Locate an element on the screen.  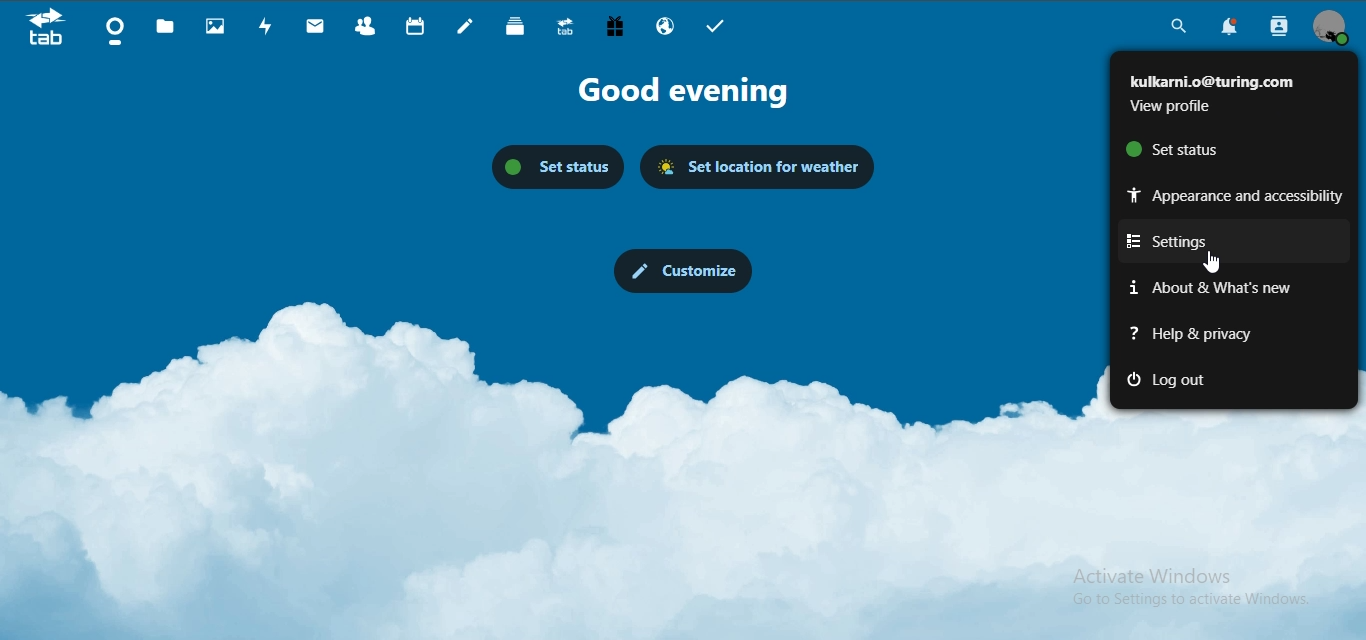
deck is located at coordinates (520, 28).